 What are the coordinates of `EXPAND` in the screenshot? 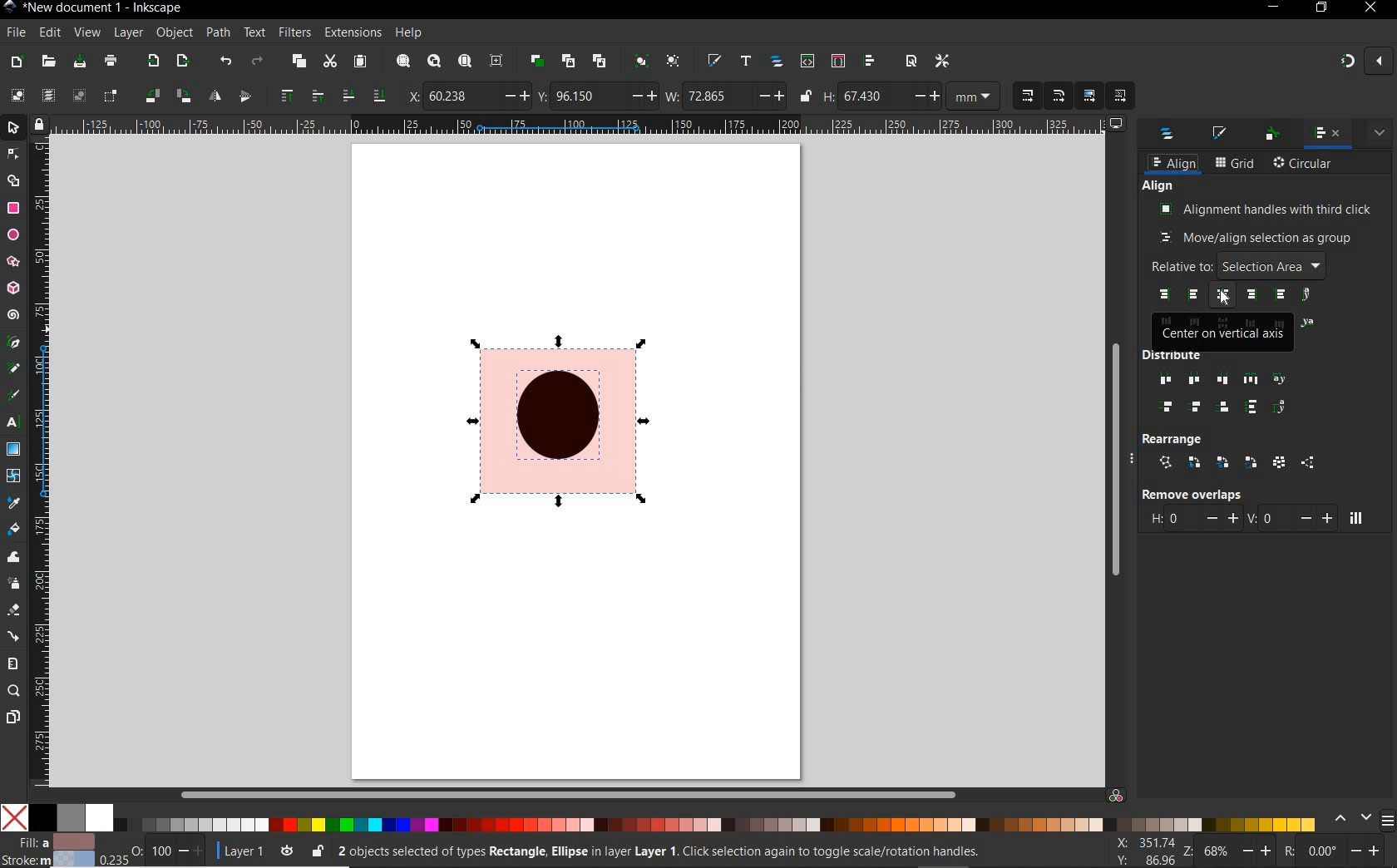 It's located at (1380, 131).